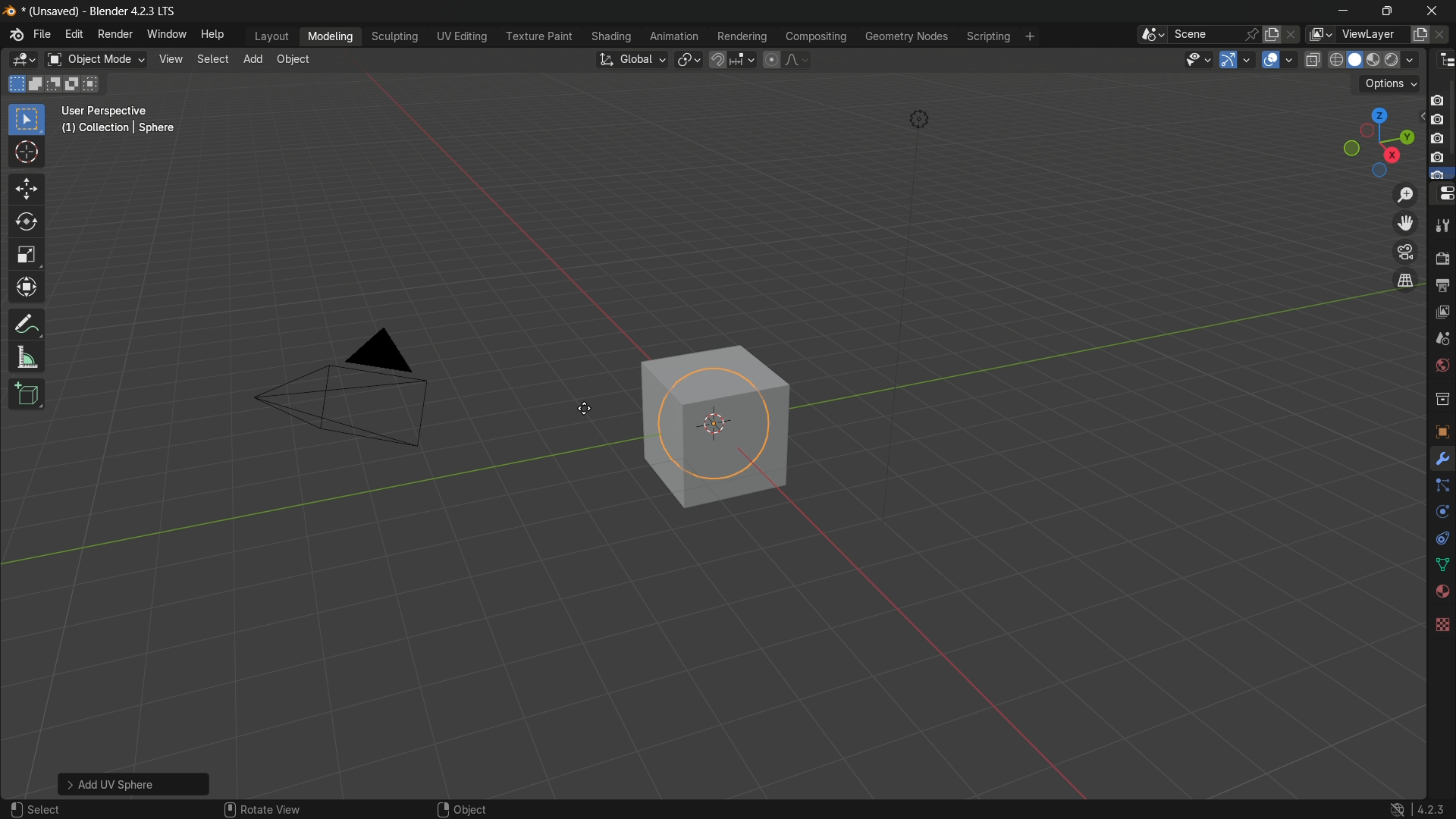 This screenshot has width=1456, height=819. Describe the element at coordinates (212, 58) in the screenshot. I see `select` at that location.